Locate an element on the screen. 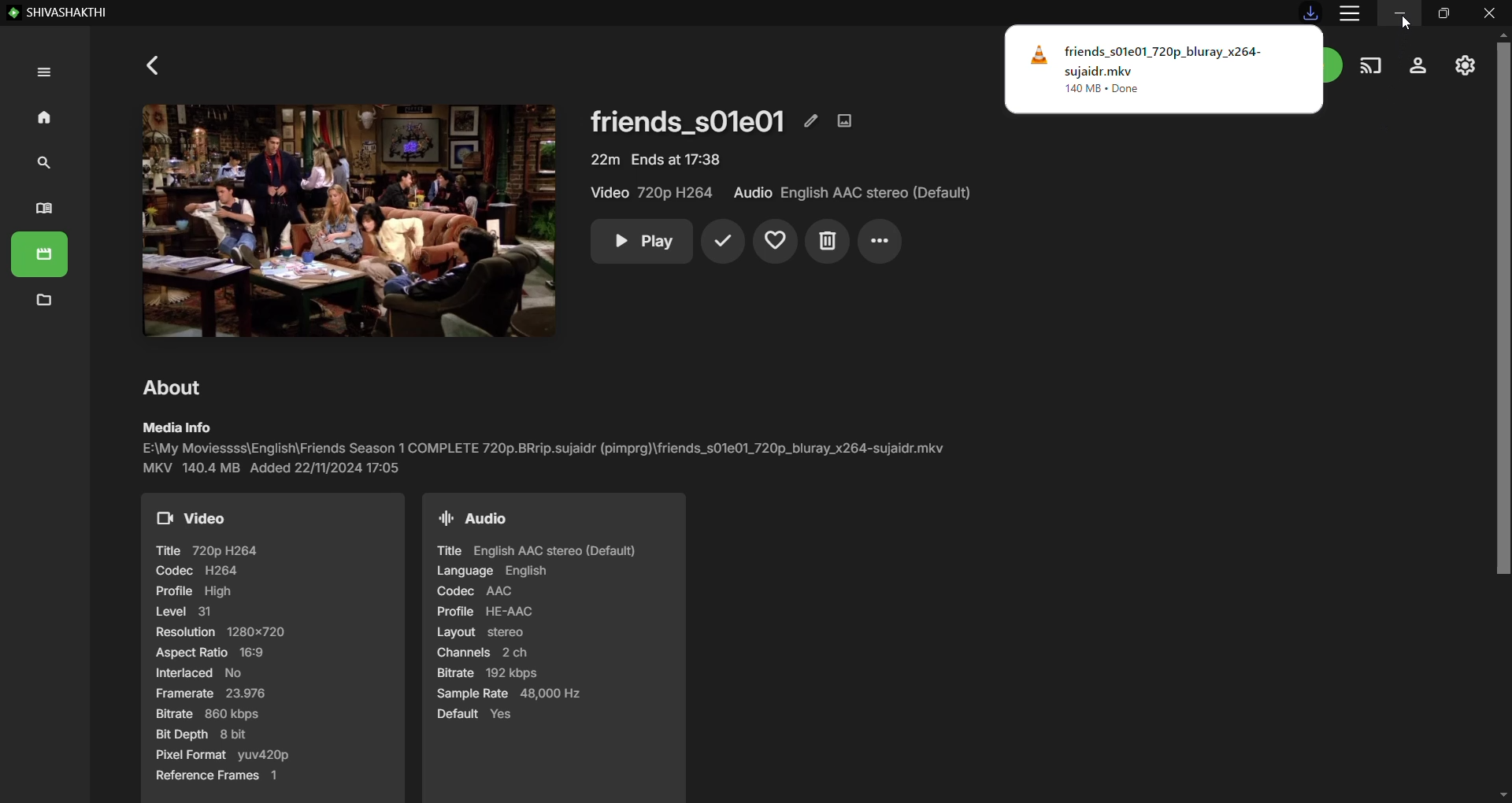 This screenshot has height=803, width=1512. Play is located at coordinates (641, 242).